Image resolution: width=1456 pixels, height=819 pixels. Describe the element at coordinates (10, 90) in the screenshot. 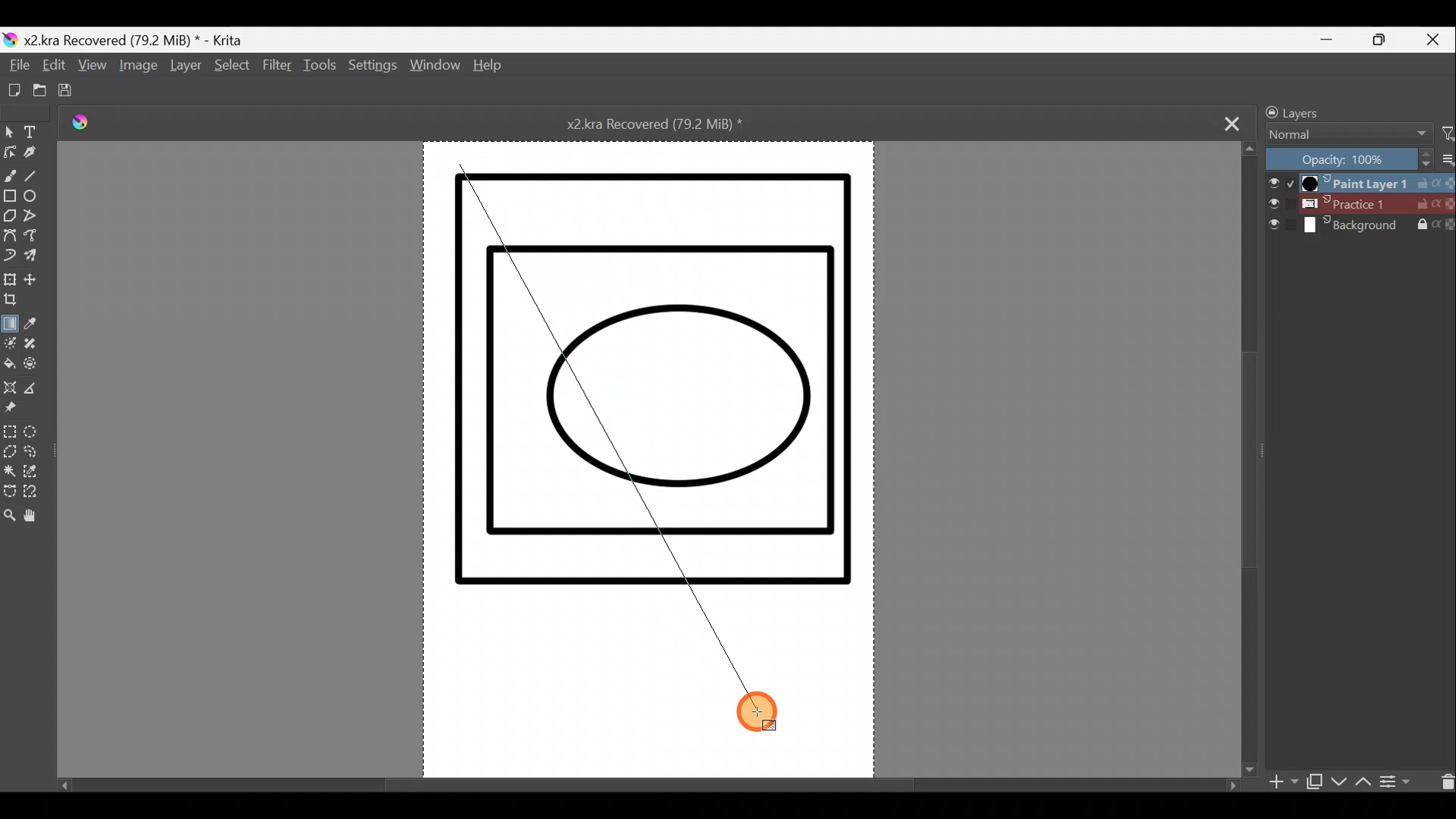

I see `Create new document` at that location.